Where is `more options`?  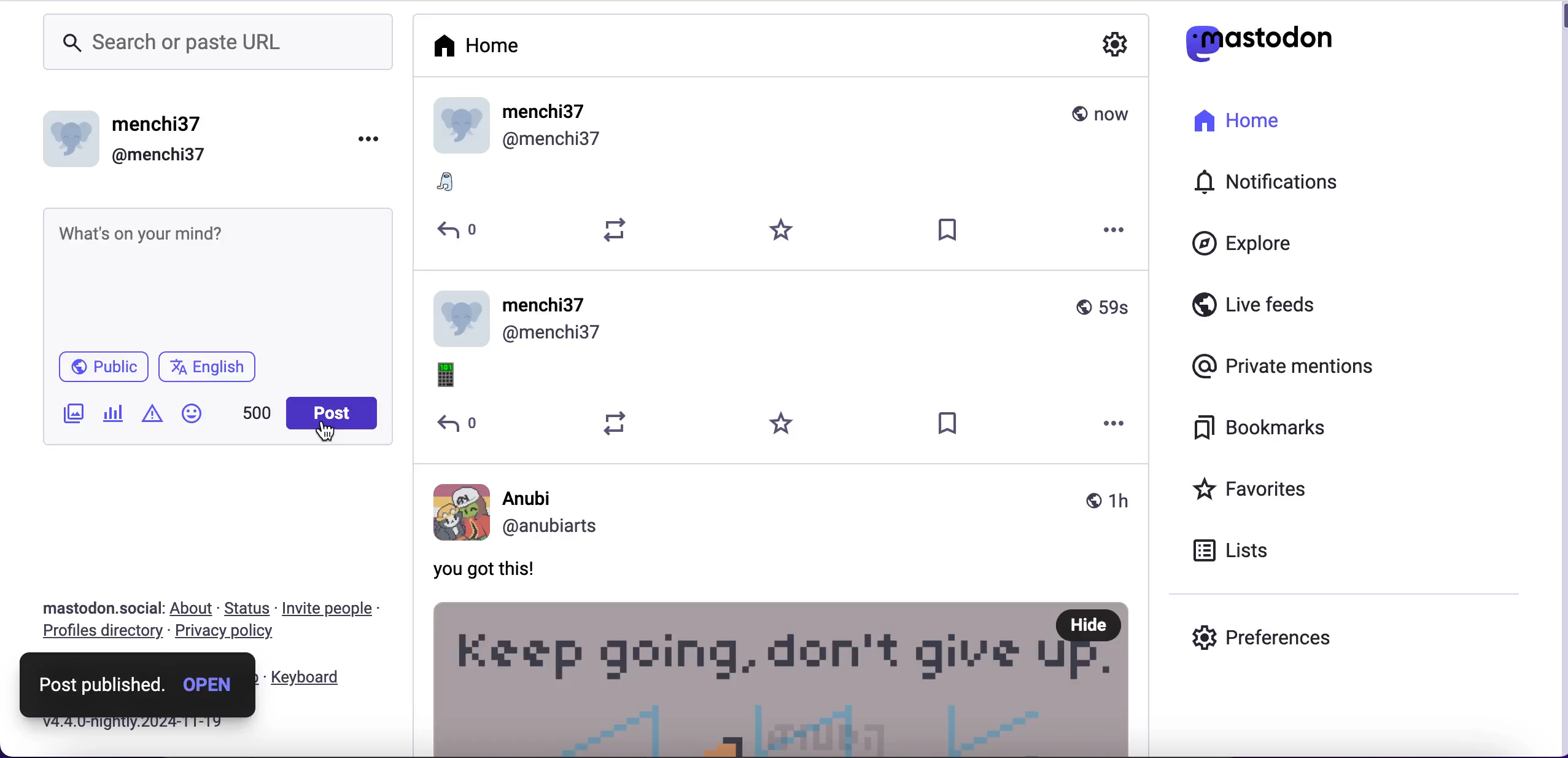 more options is located at coordinates (1116, 422).